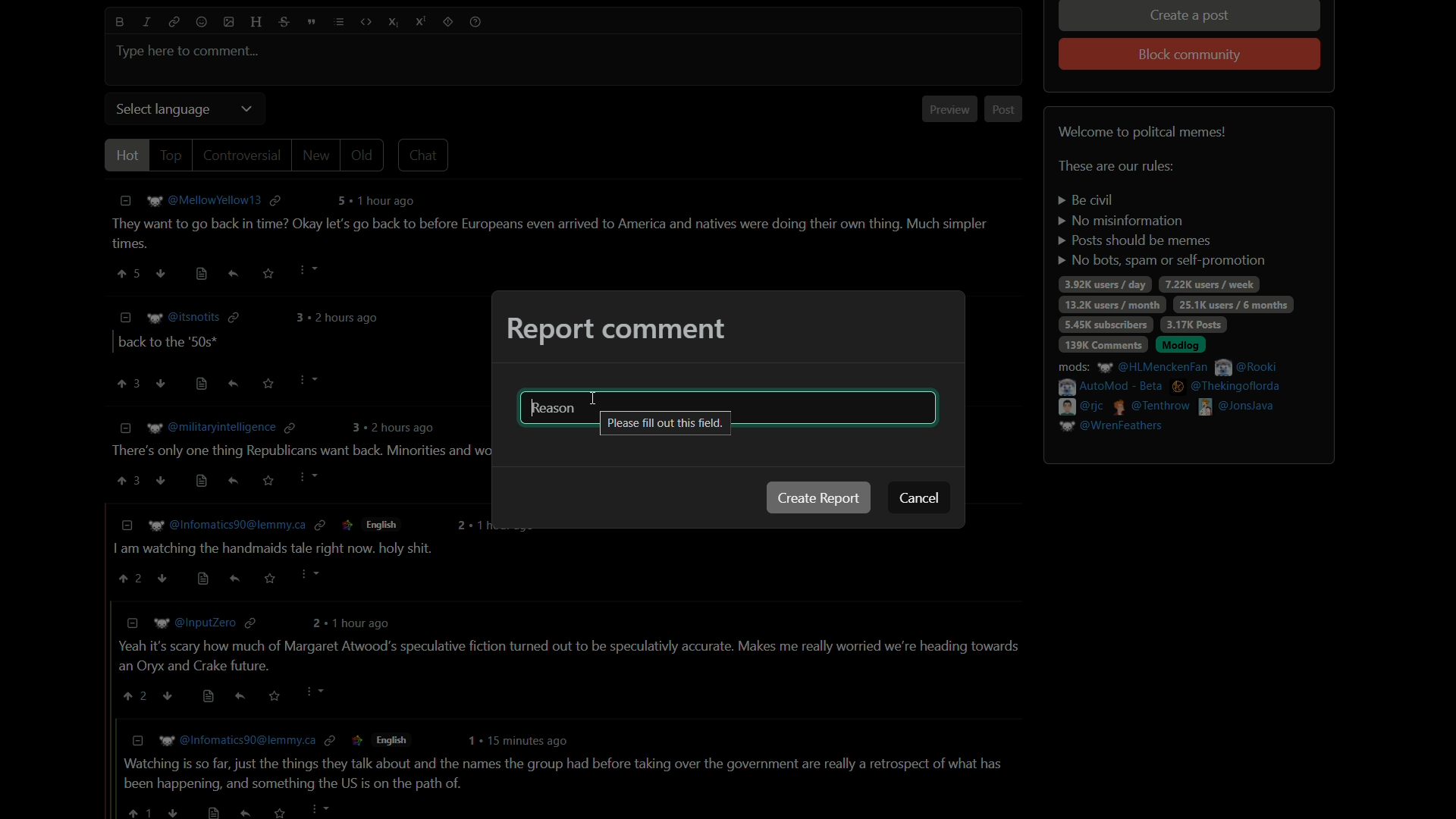 This screenshot has width=1456, height=819. I want to click on Cursor, so click(306, 388).